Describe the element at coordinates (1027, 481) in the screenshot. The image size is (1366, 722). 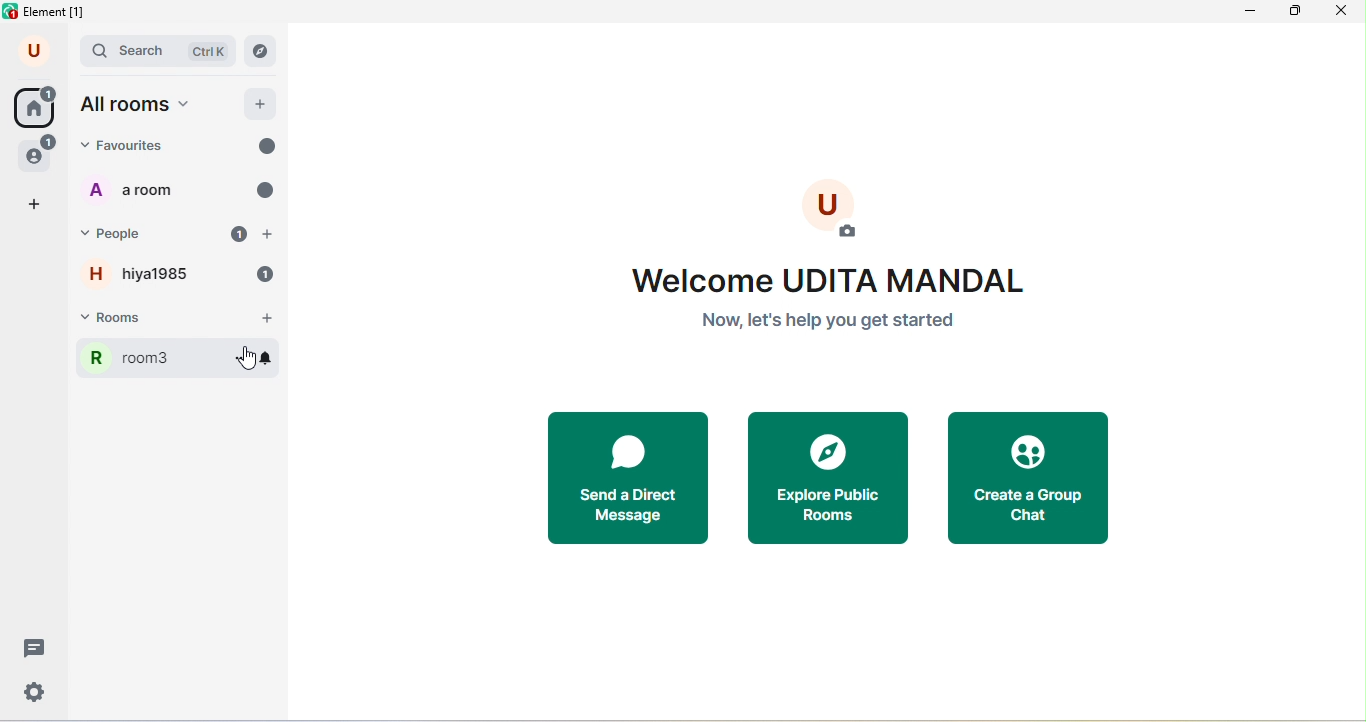
I see `create a group chat` at that location.